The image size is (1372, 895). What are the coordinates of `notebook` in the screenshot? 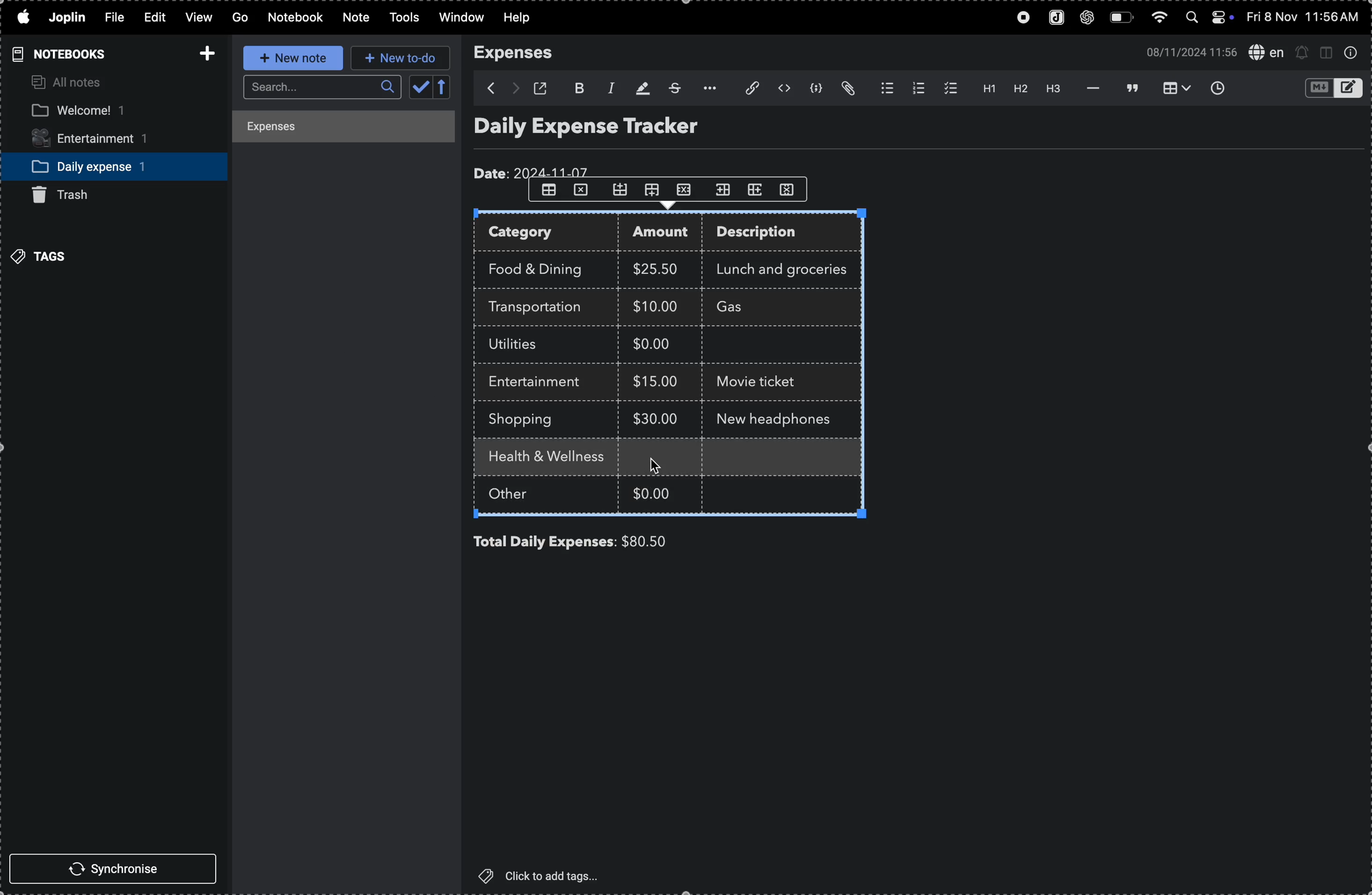 It's located at (296, 17).